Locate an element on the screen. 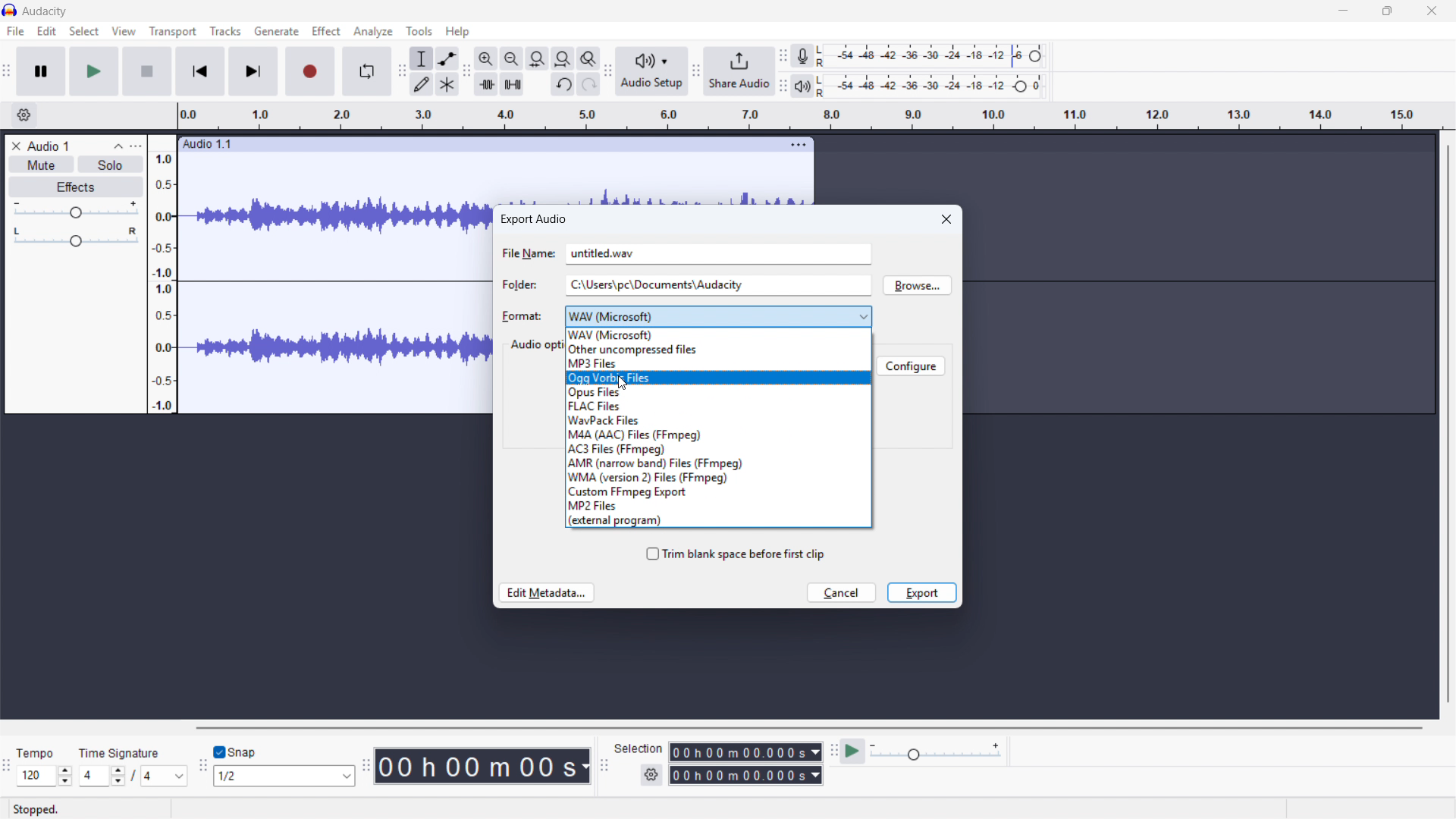  Click to drag is located at coordinates (470, 145).